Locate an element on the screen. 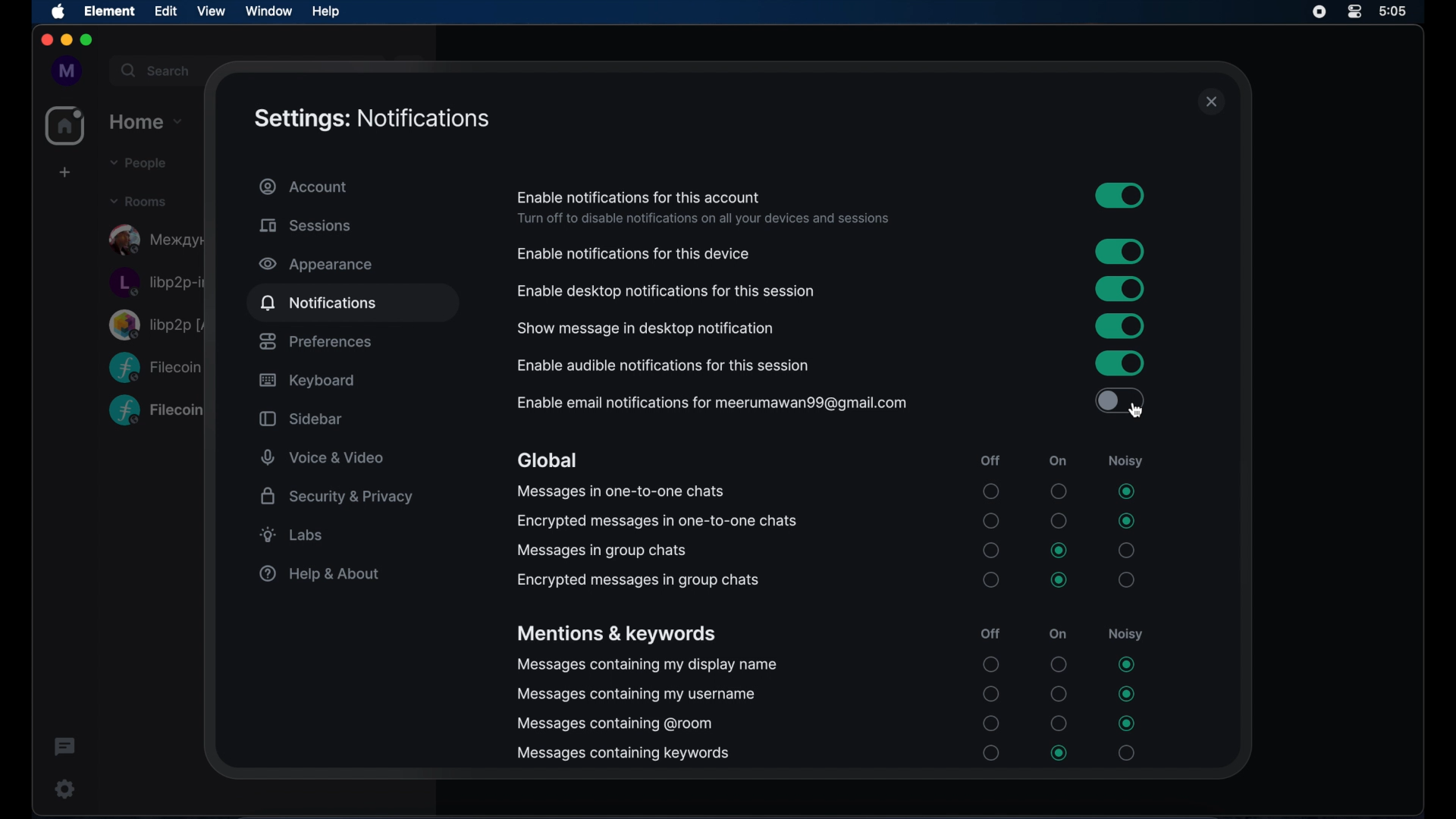 The image size is (1456, 819). noisy is located at coordinates (1125, 633).